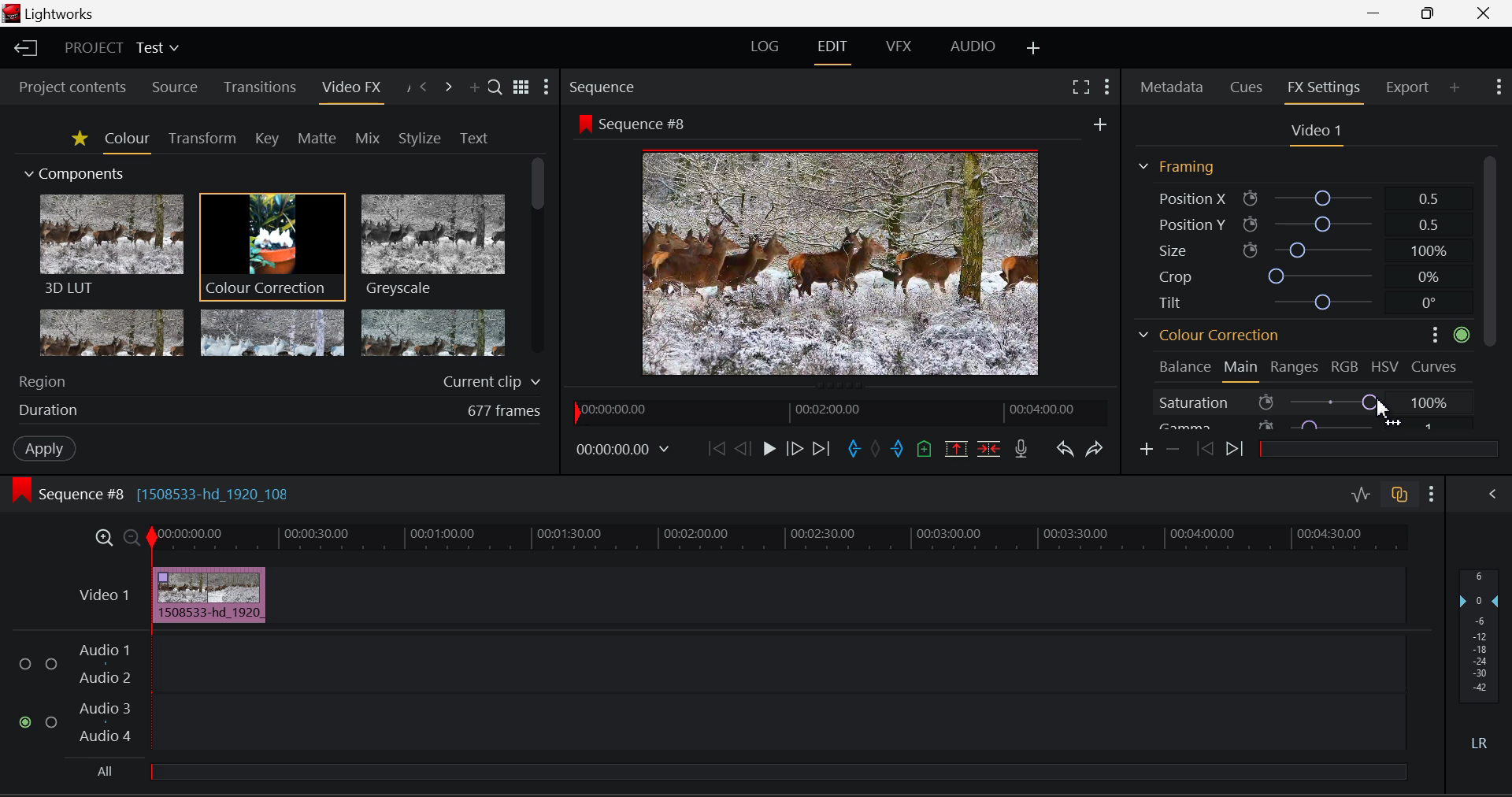  I want to click on MOUSE_UP Cursor Position, so click(1383, 409).